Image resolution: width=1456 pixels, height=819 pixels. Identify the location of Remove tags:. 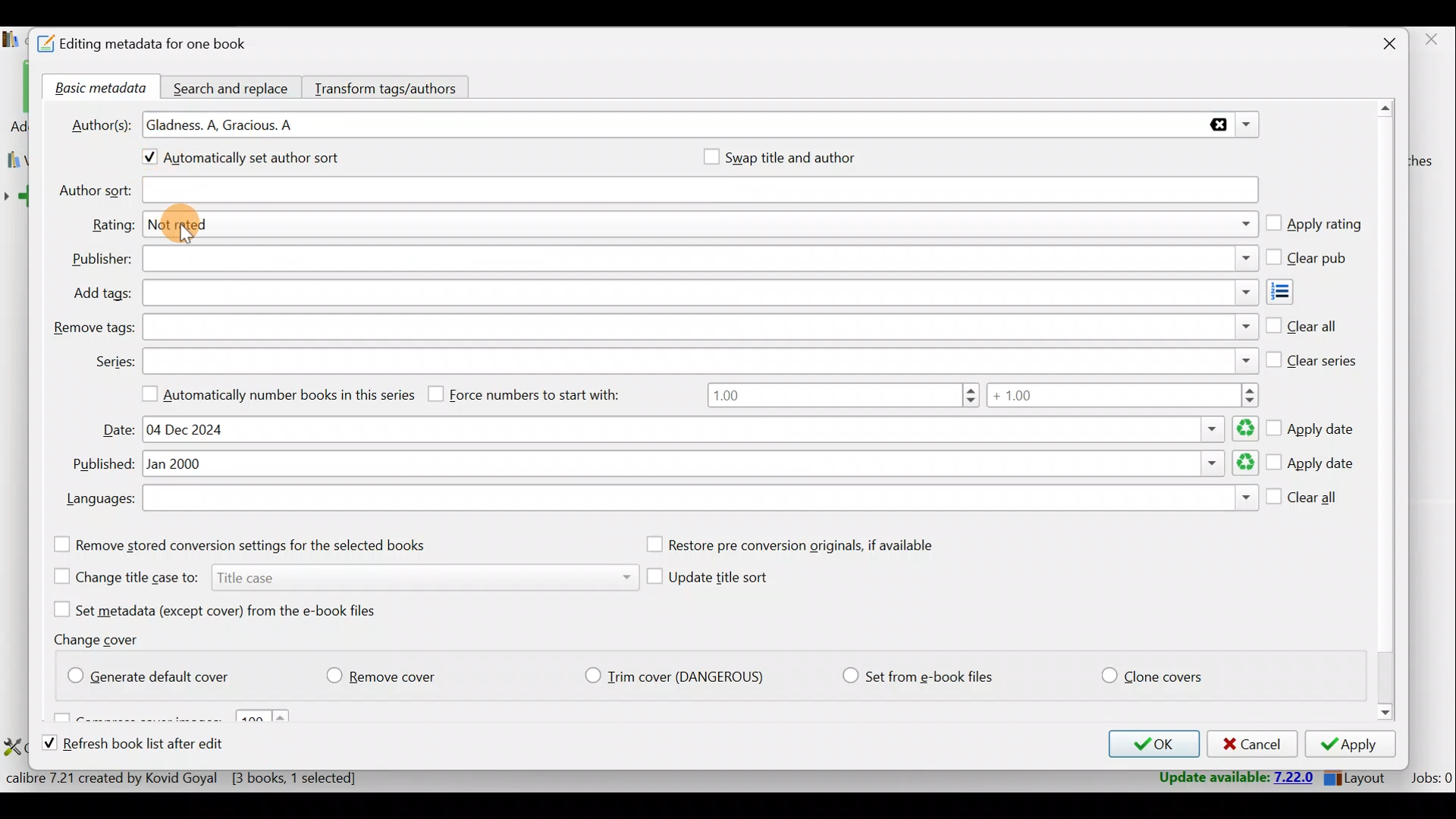
(93, 328).